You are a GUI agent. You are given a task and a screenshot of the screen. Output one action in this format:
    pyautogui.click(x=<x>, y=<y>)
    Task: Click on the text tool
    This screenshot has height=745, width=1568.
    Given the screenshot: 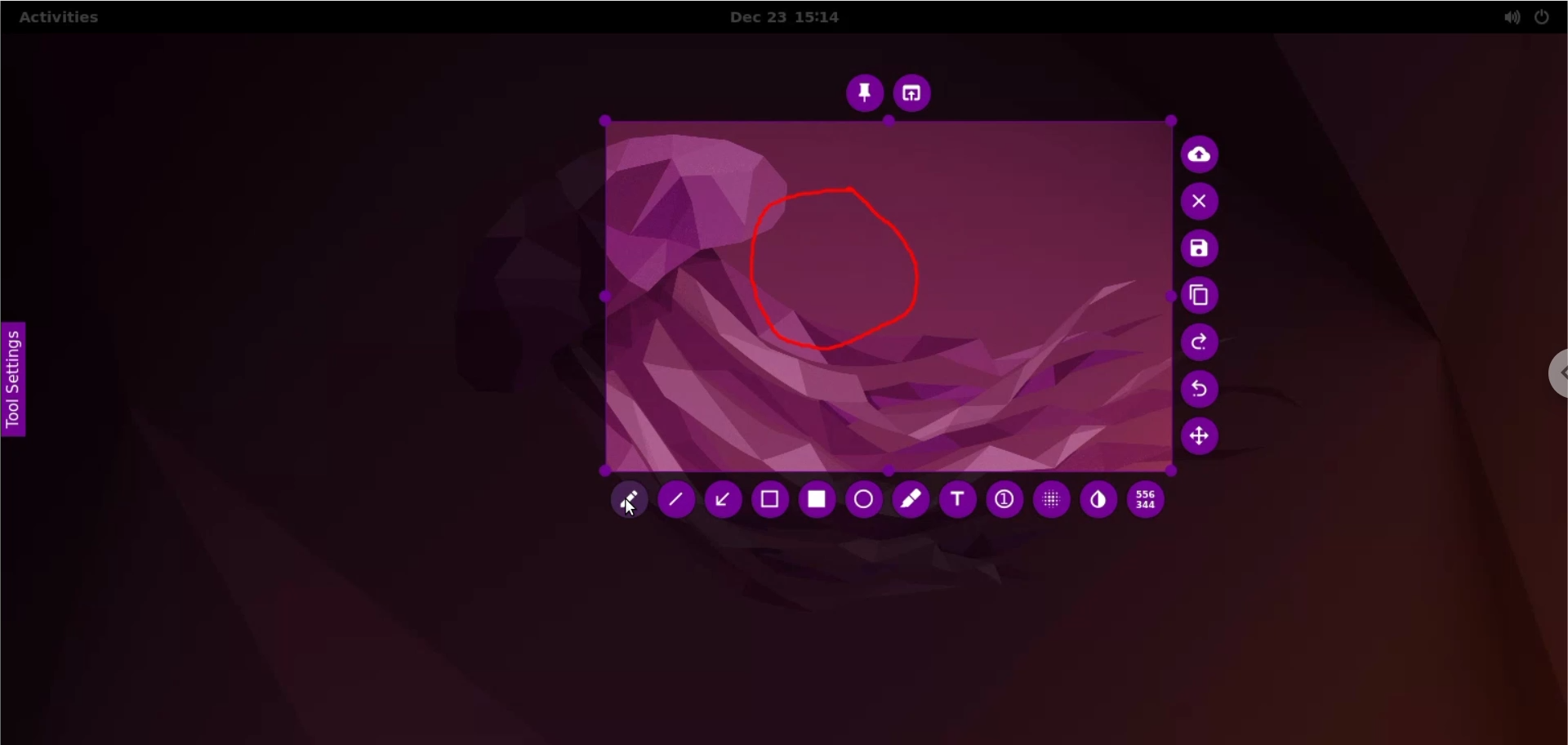 What is the action you would take?
    pyautogui.click(x=959, y=502)
    